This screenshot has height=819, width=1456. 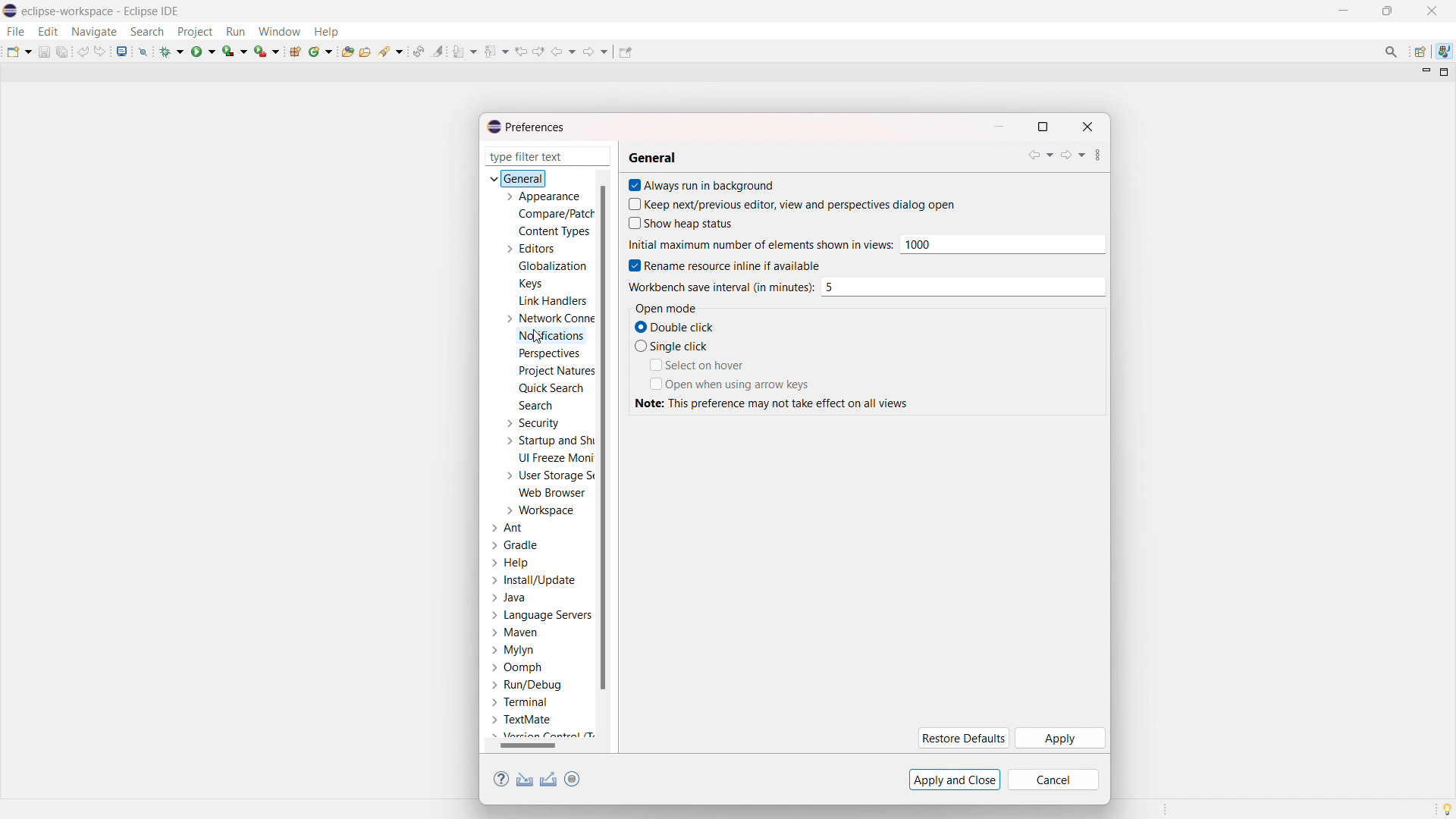 I want to click on open perspective, so click(x=1419, y=52).